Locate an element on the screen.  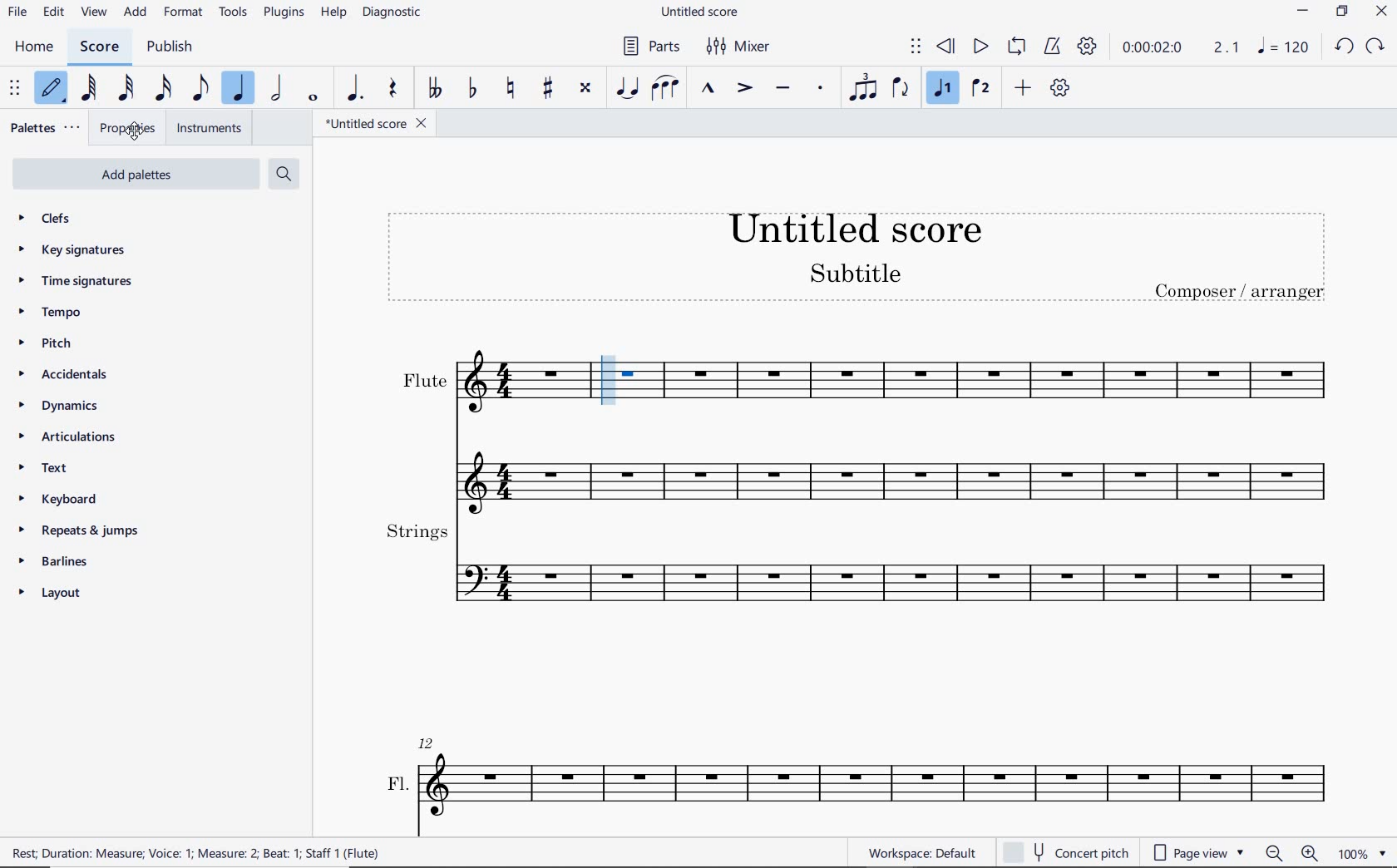
TOGGLE FLAT is located at coordinates (471, 89).